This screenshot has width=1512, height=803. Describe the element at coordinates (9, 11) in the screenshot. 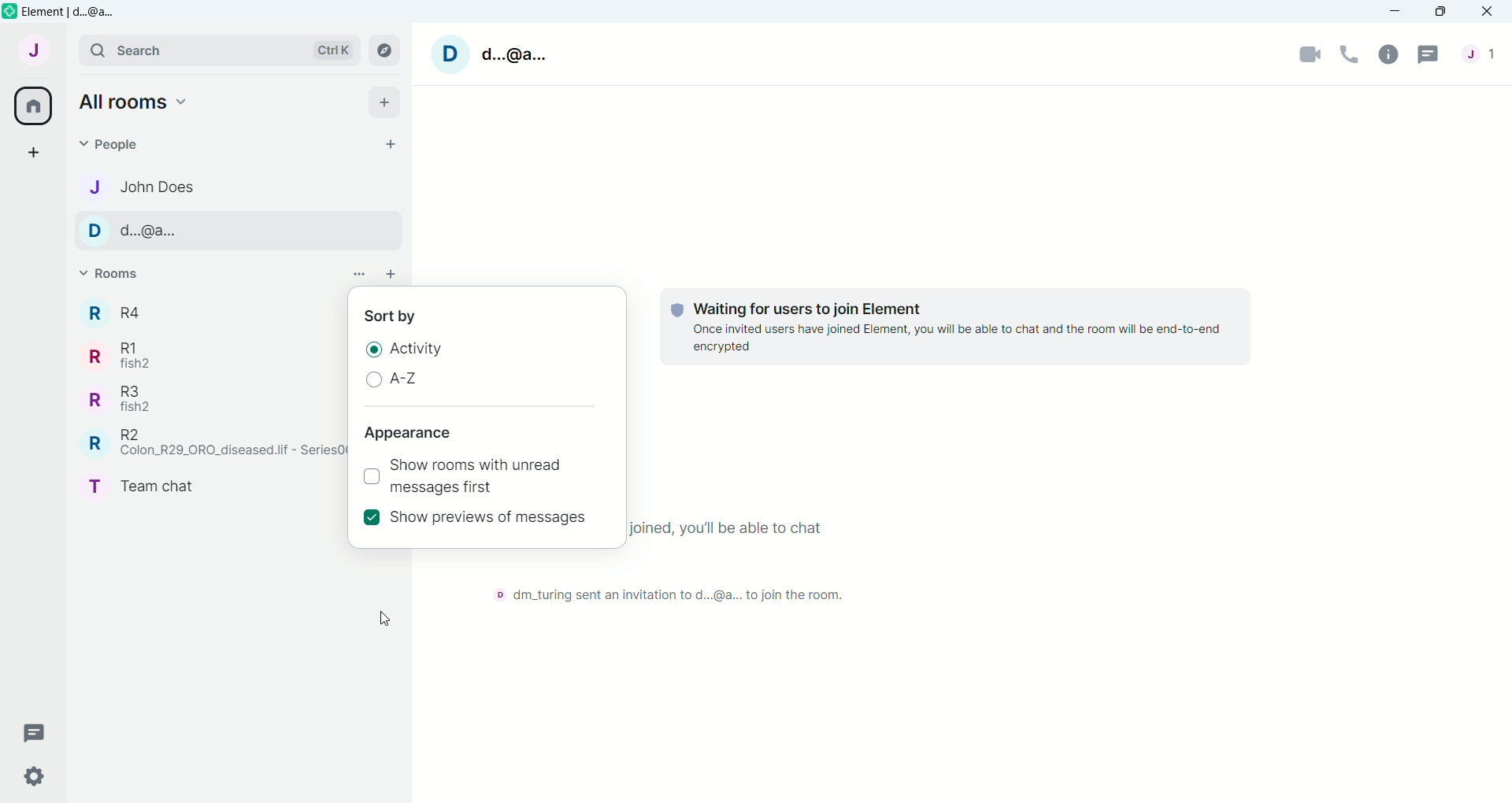

I see `element icon` at that location.